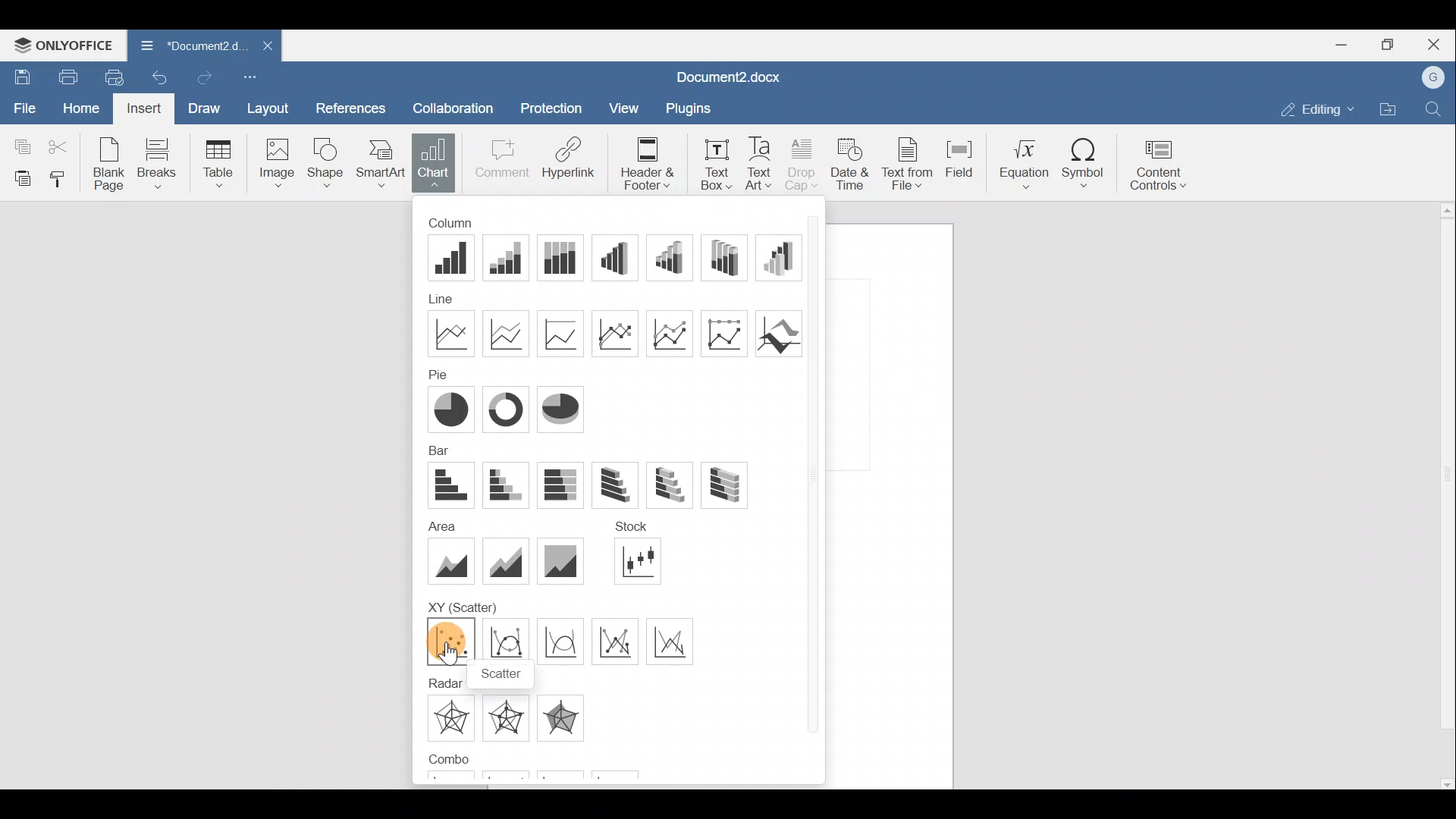 The image size is (1456, 819). I want to click on Scatter, so click(502, 674).